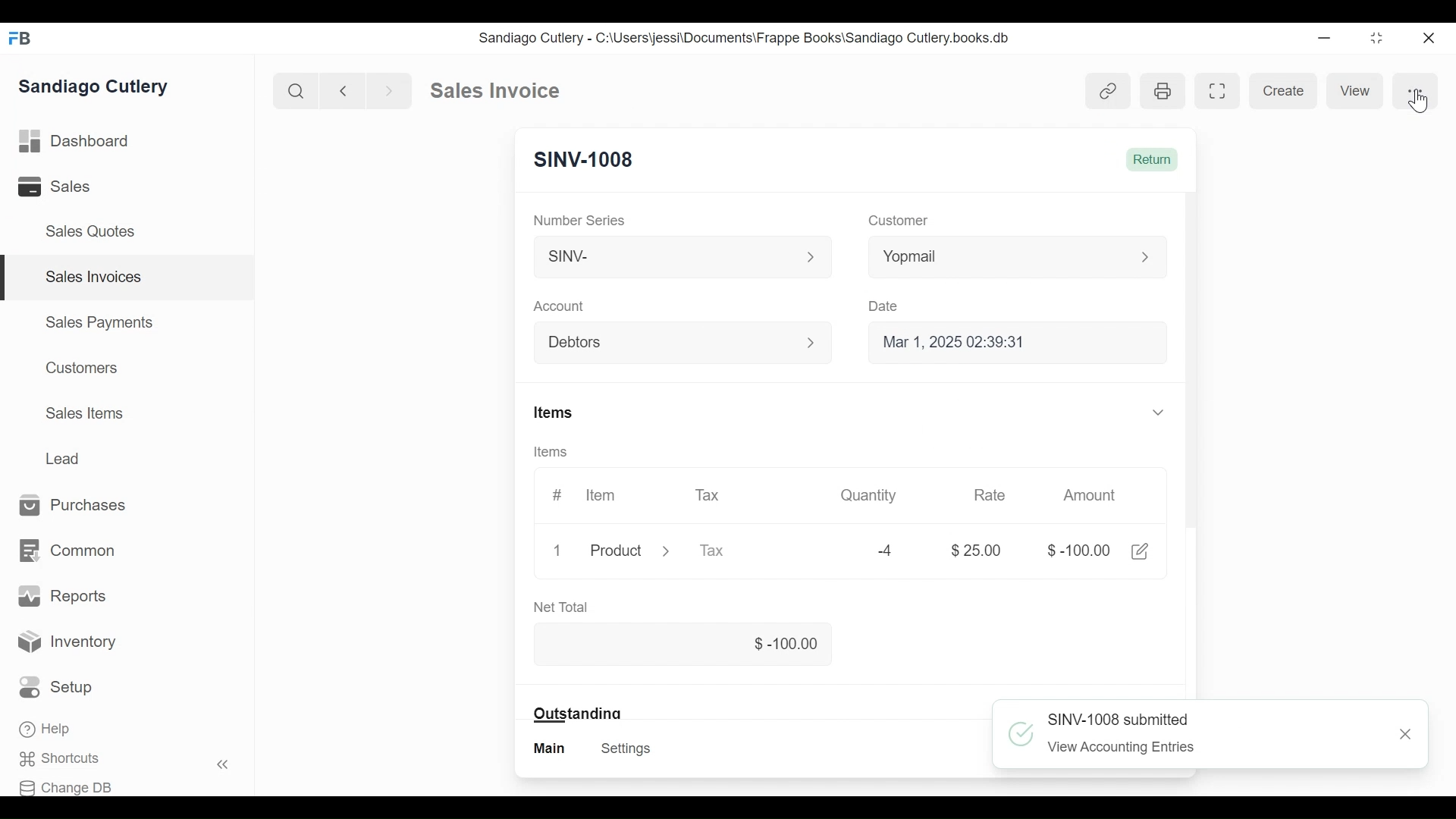 This screenshot has width=1456, height=819. Describe the element at coordinates (559, 306) in the screenshot. I see `Account` at that location.